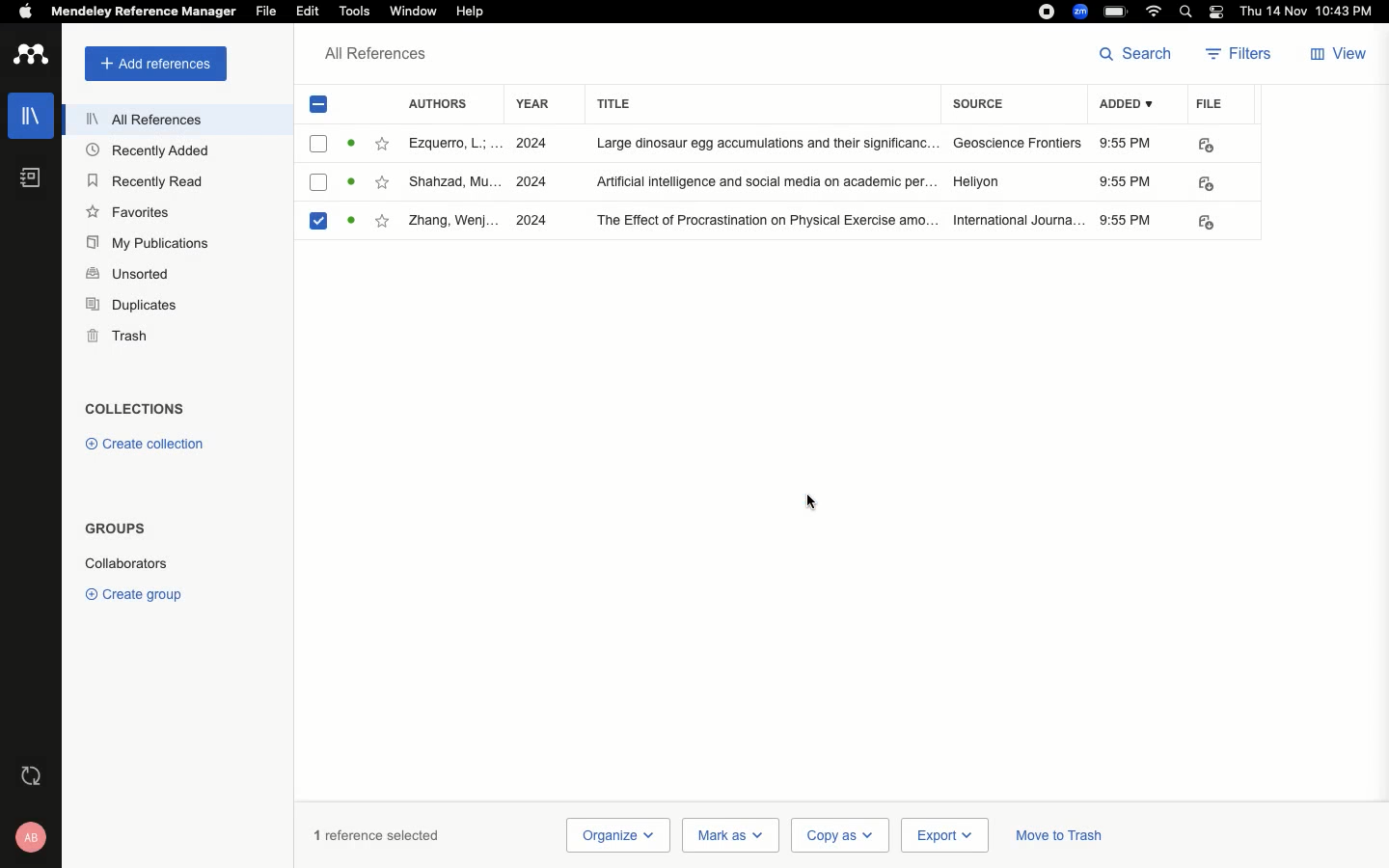 The width and height of the screenshot is (1389, 868). Describe the element at coordinates (730, 835) in the screenshot. I see `Mark as` at that location.